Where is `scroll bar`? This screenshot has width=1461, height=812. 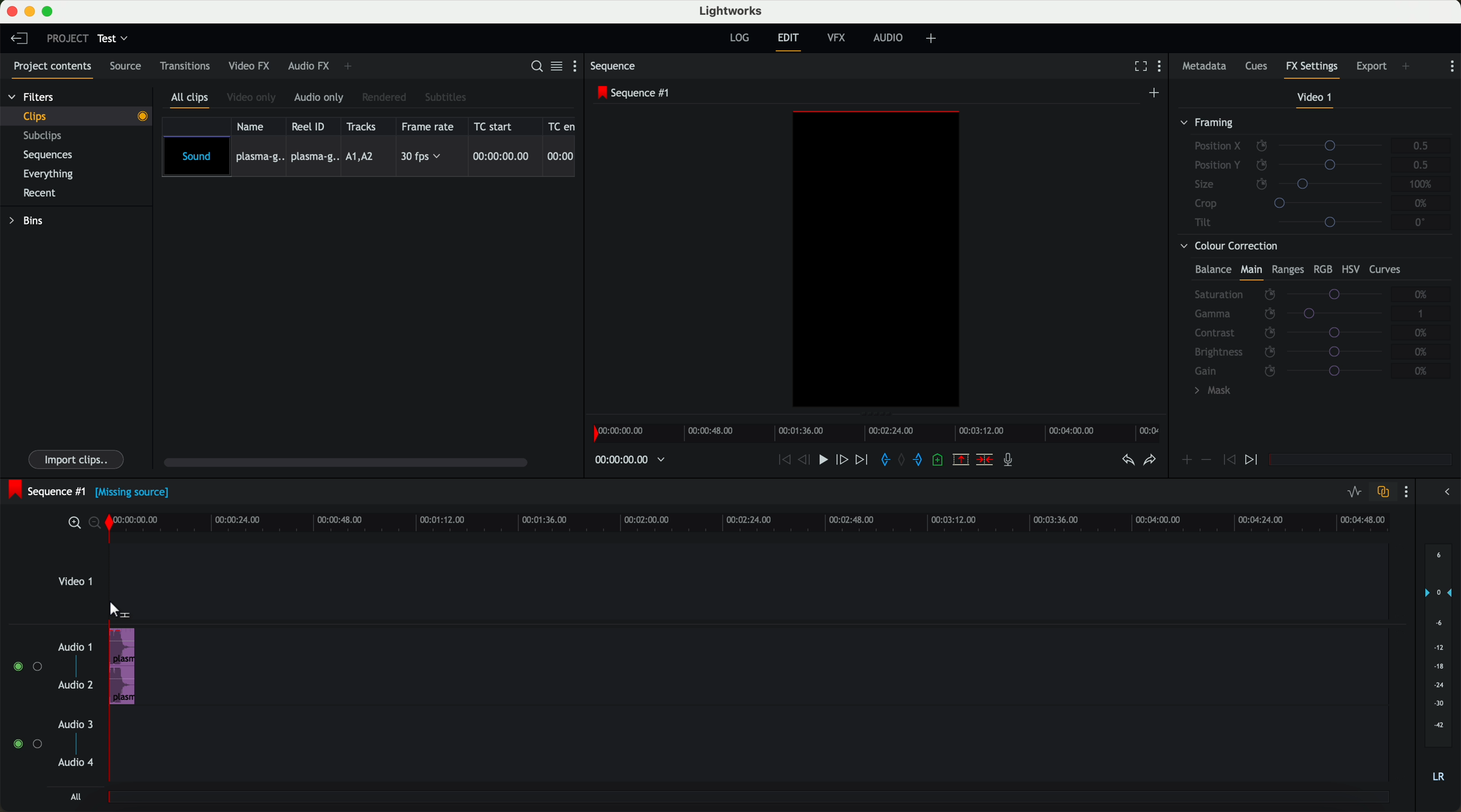 scroll bar is located at coordinates (352, 464).